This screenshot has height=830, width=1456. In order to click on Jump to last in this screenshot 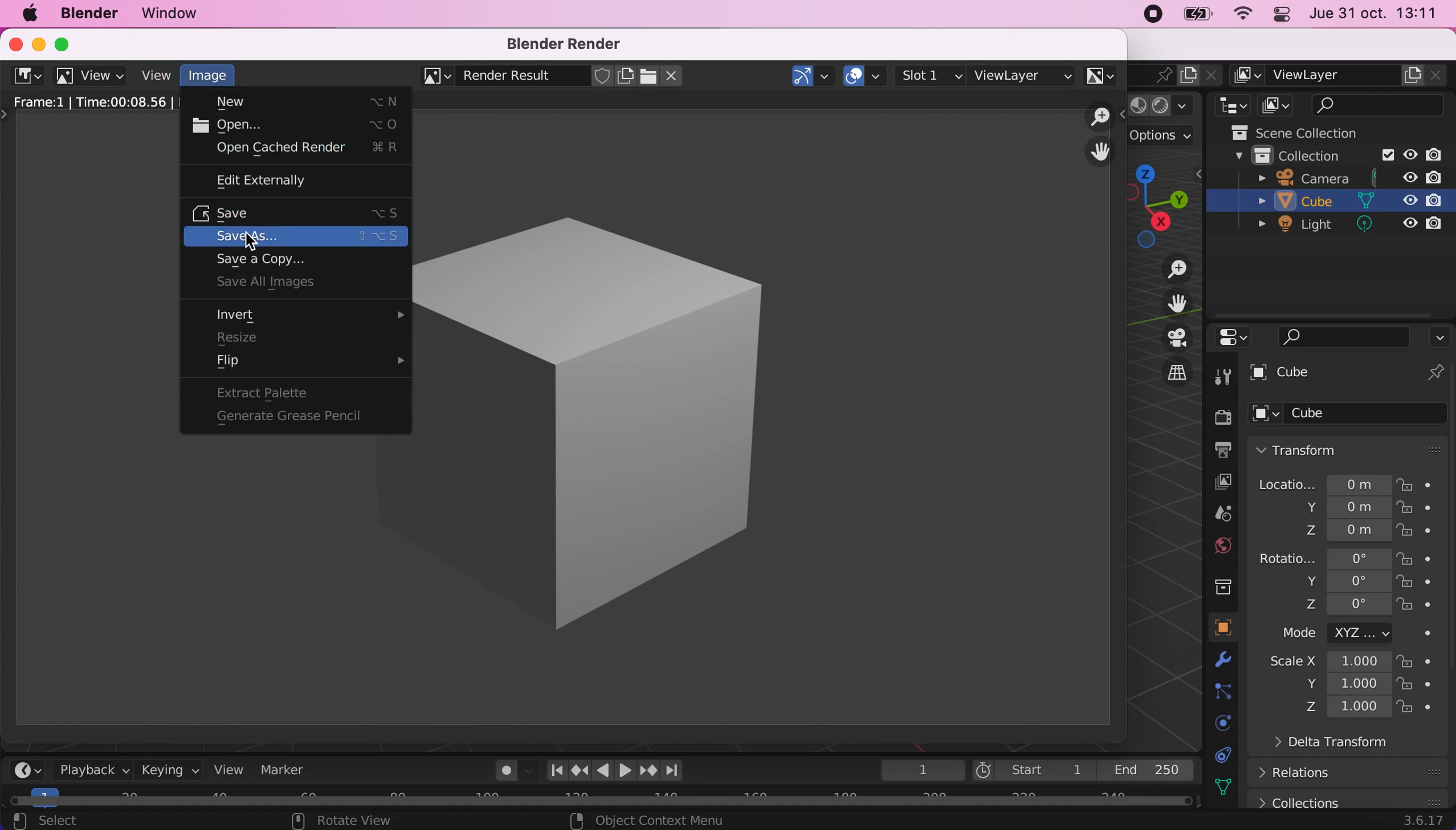, I will do `click(674, 766)`.